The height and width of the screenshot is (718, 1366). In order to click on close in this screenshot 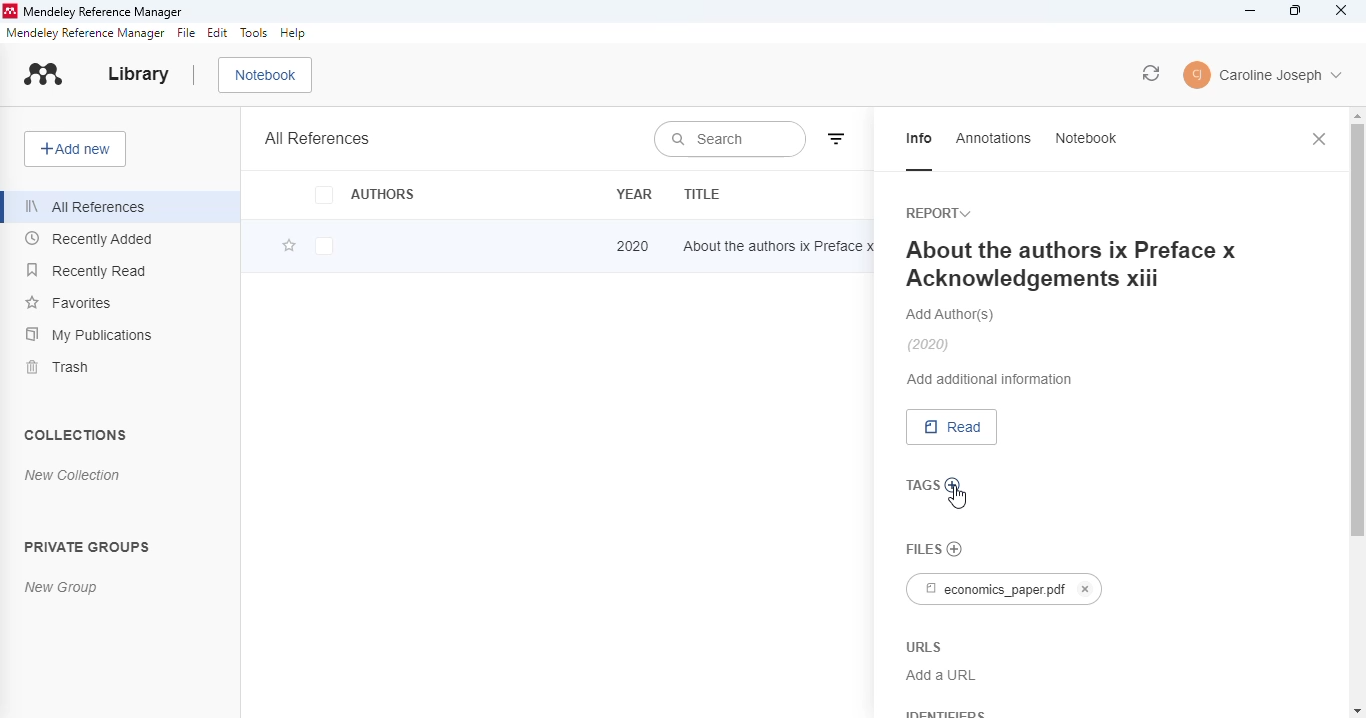, I will do `click(1341, 10)`.